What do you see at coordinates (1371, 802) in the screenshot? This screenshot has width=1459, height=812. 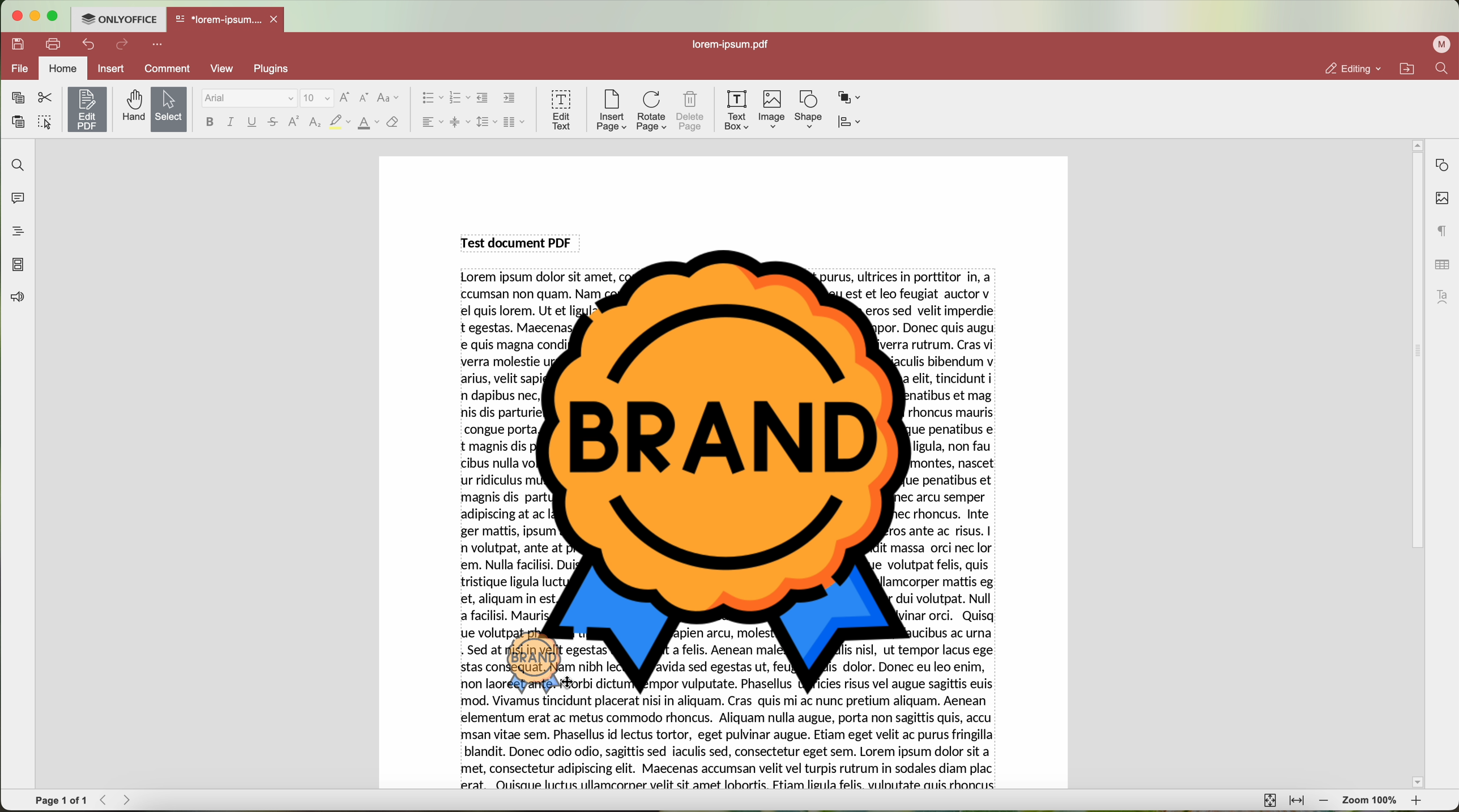 I see `zoom 100%` at bounding box center [1371, 802].